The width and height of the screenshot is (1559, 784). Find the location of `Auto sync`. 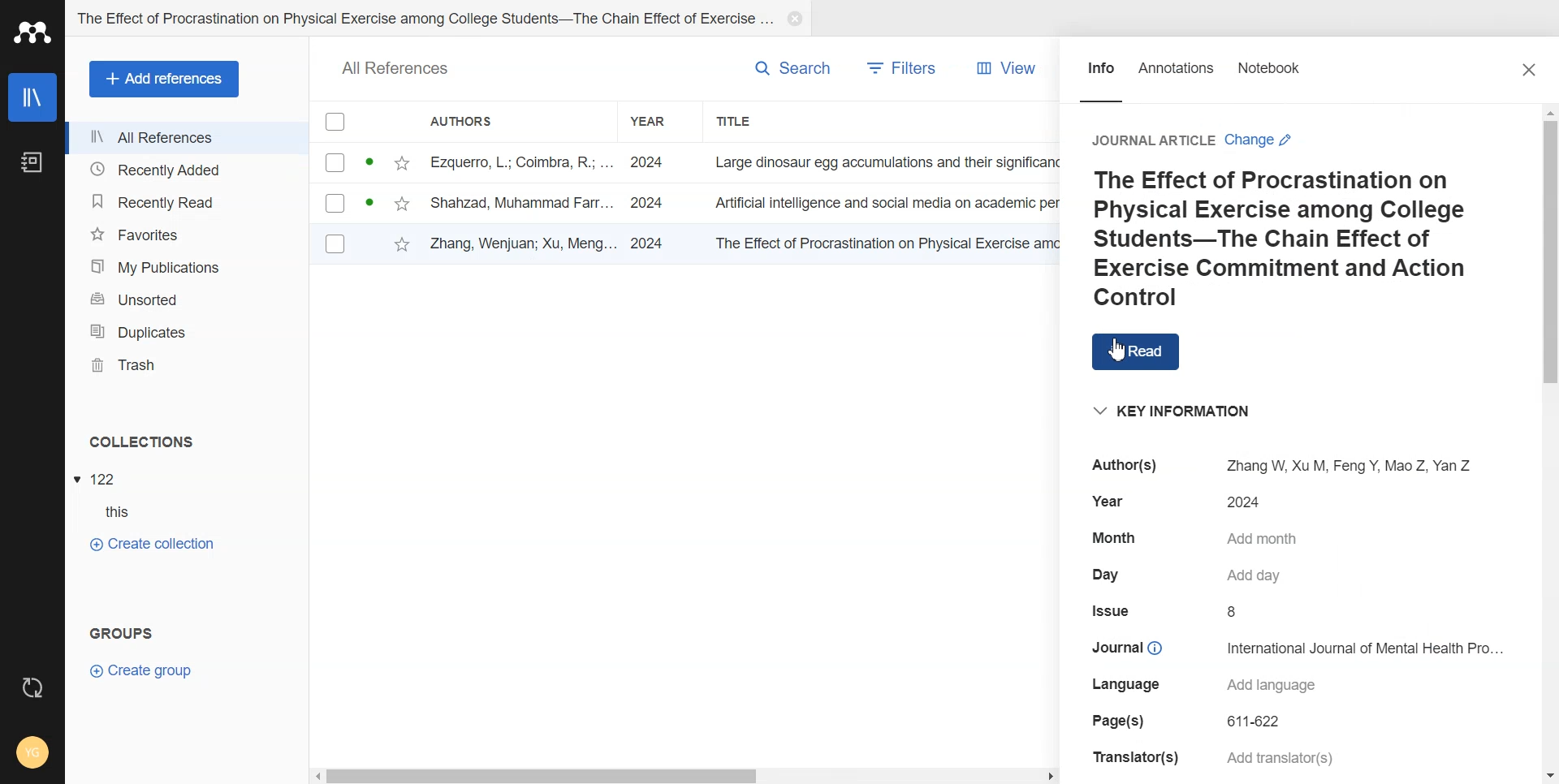

Auto sync is located at coordinates (34, 690).